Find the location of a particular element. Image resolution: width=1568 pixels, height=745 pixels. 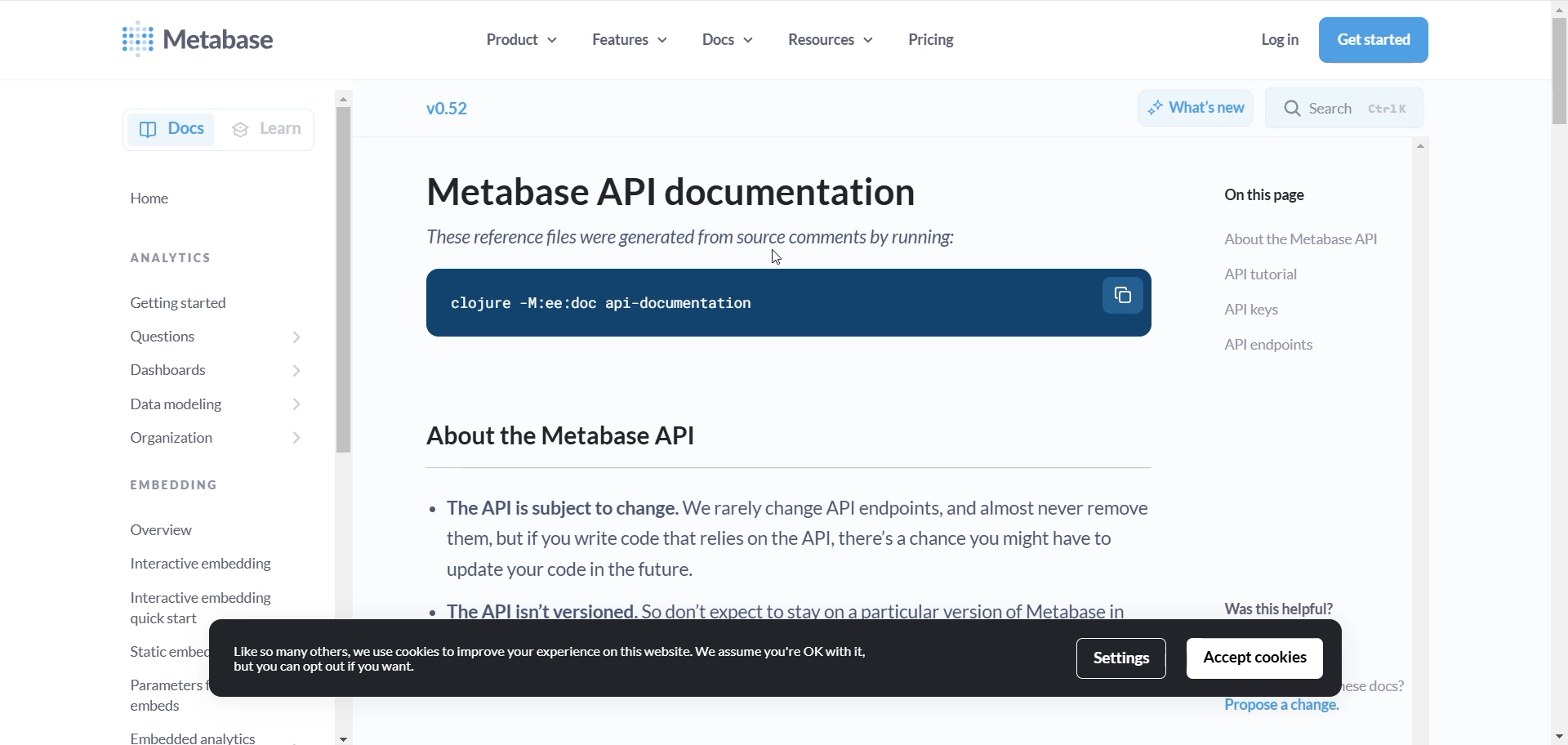

questions is located at coordinates (188, 334).